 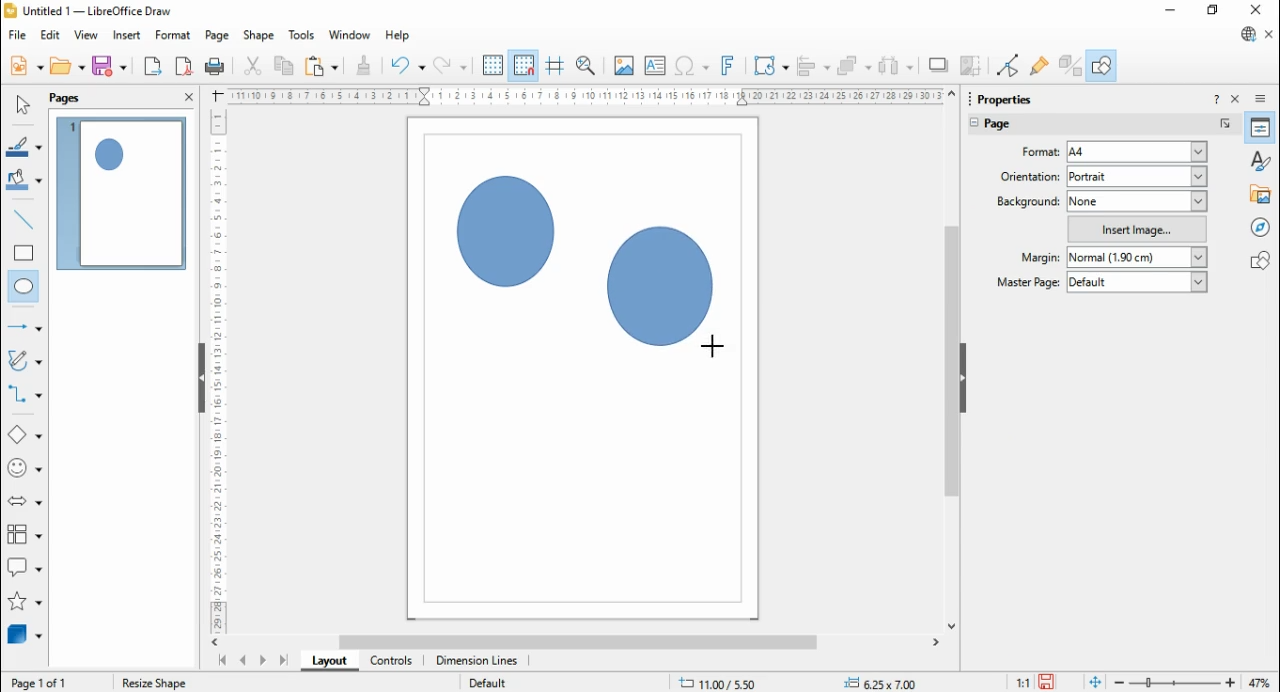 What do you see at coordinates (1260, 260) in the screenshot?
I see `shapes` at bounding box center [1260, 260].